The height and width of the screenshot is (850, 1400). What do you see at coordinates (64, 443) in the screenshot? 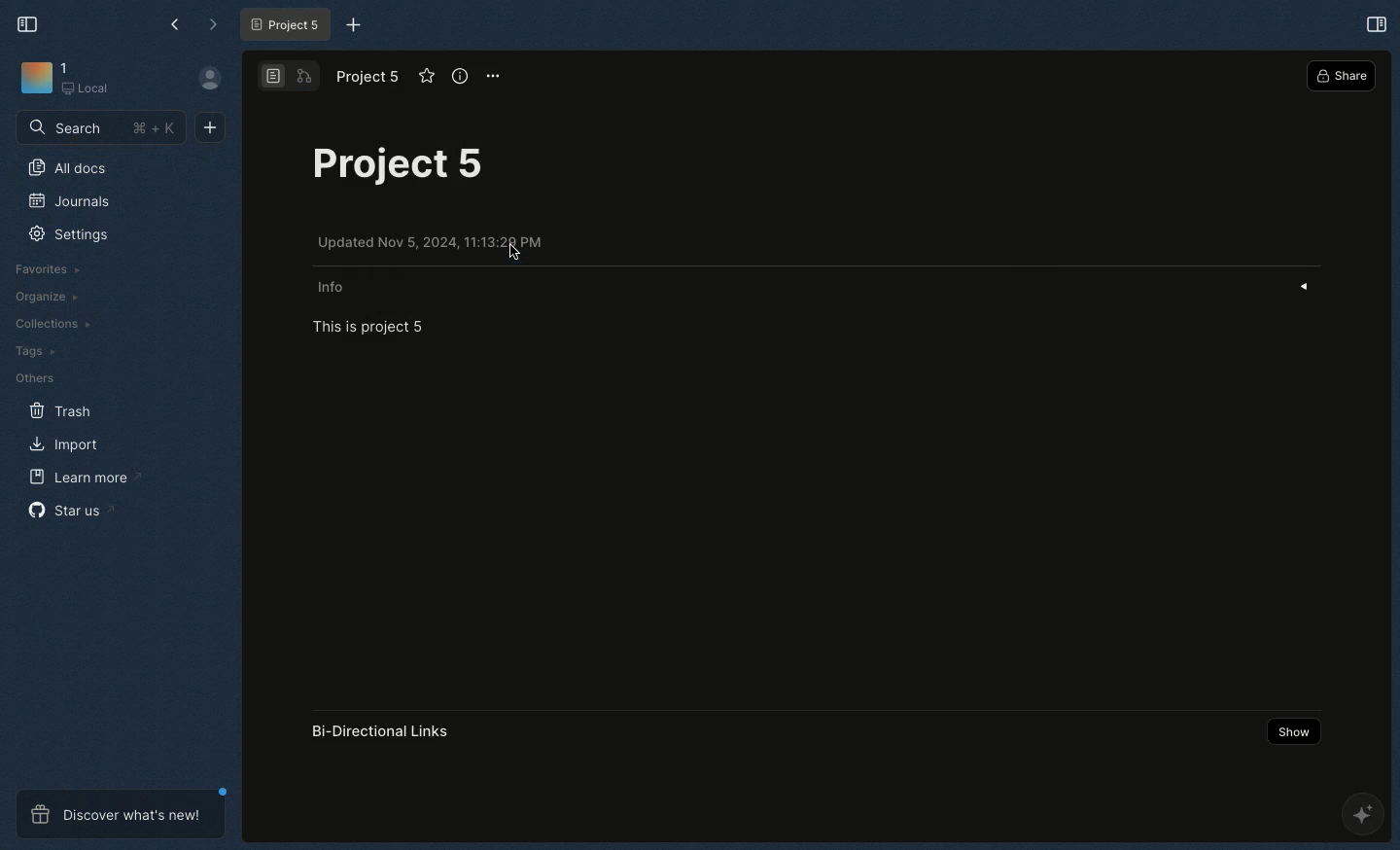
I see `Import` at bounding box center [64, 443].